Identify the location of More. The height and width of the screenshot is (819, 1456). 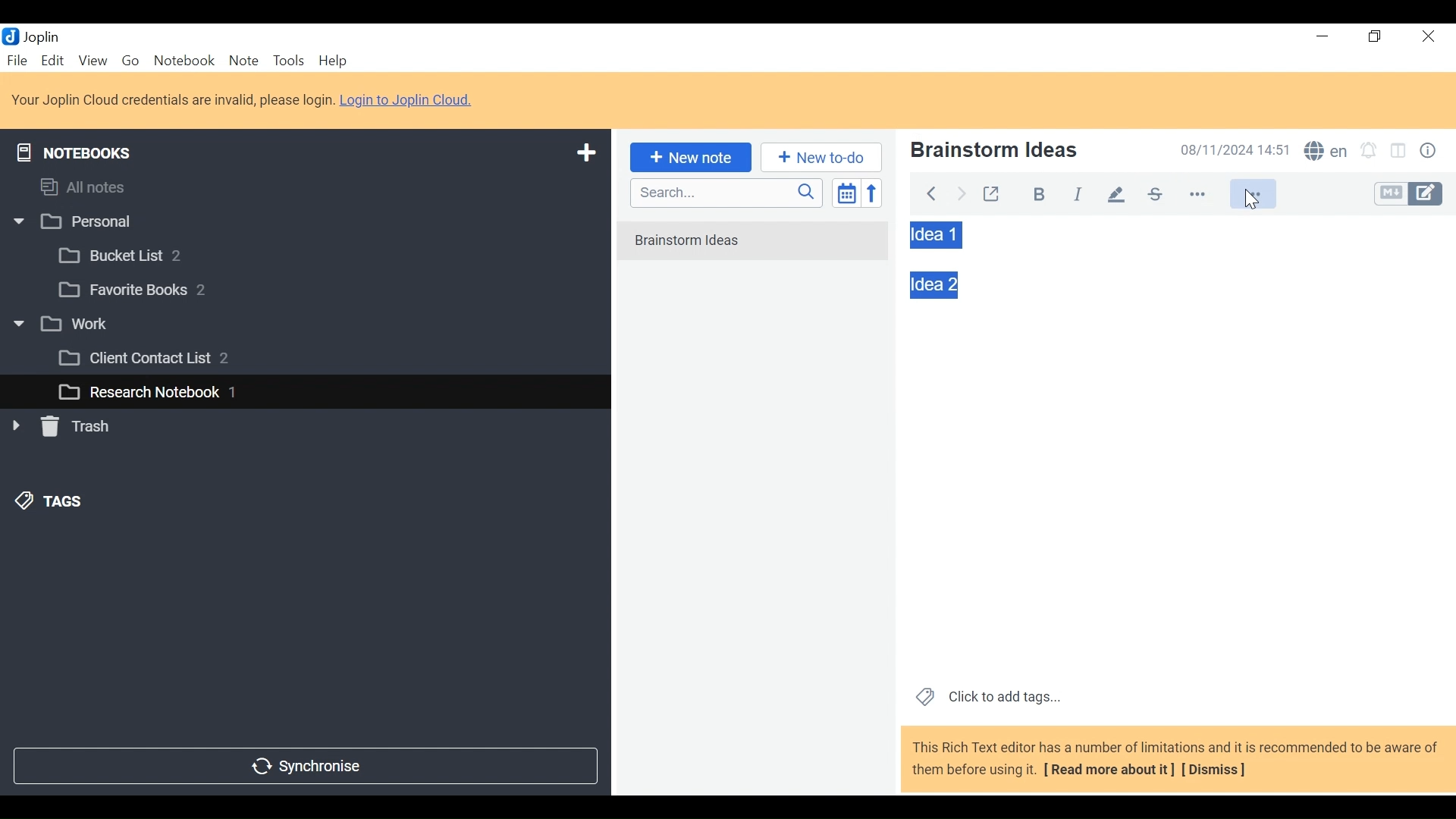
(1254, 196).